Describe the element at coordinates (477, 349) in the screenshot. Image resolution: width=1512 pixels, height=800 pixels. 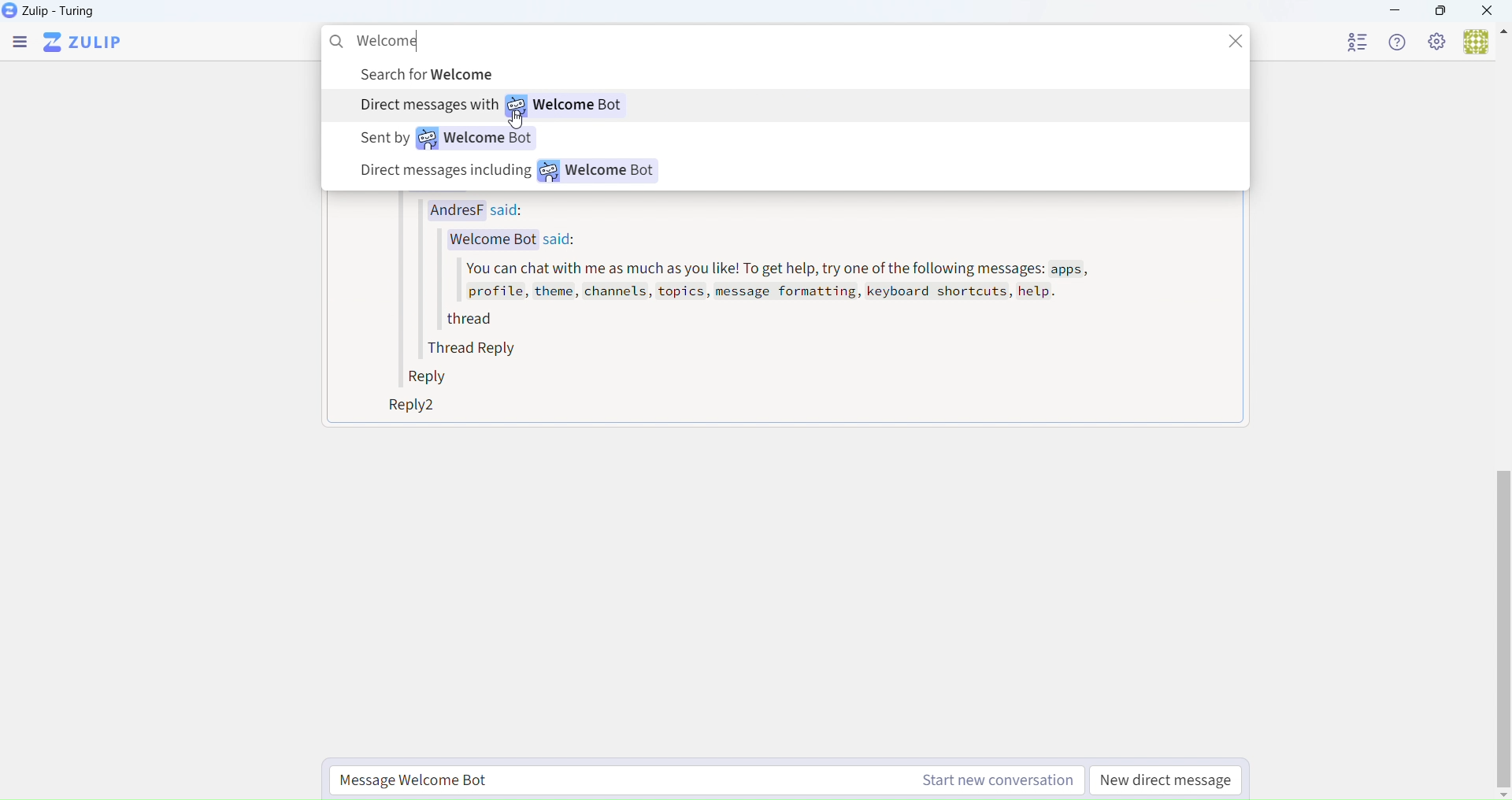
I see `Thread Reply` at that location.